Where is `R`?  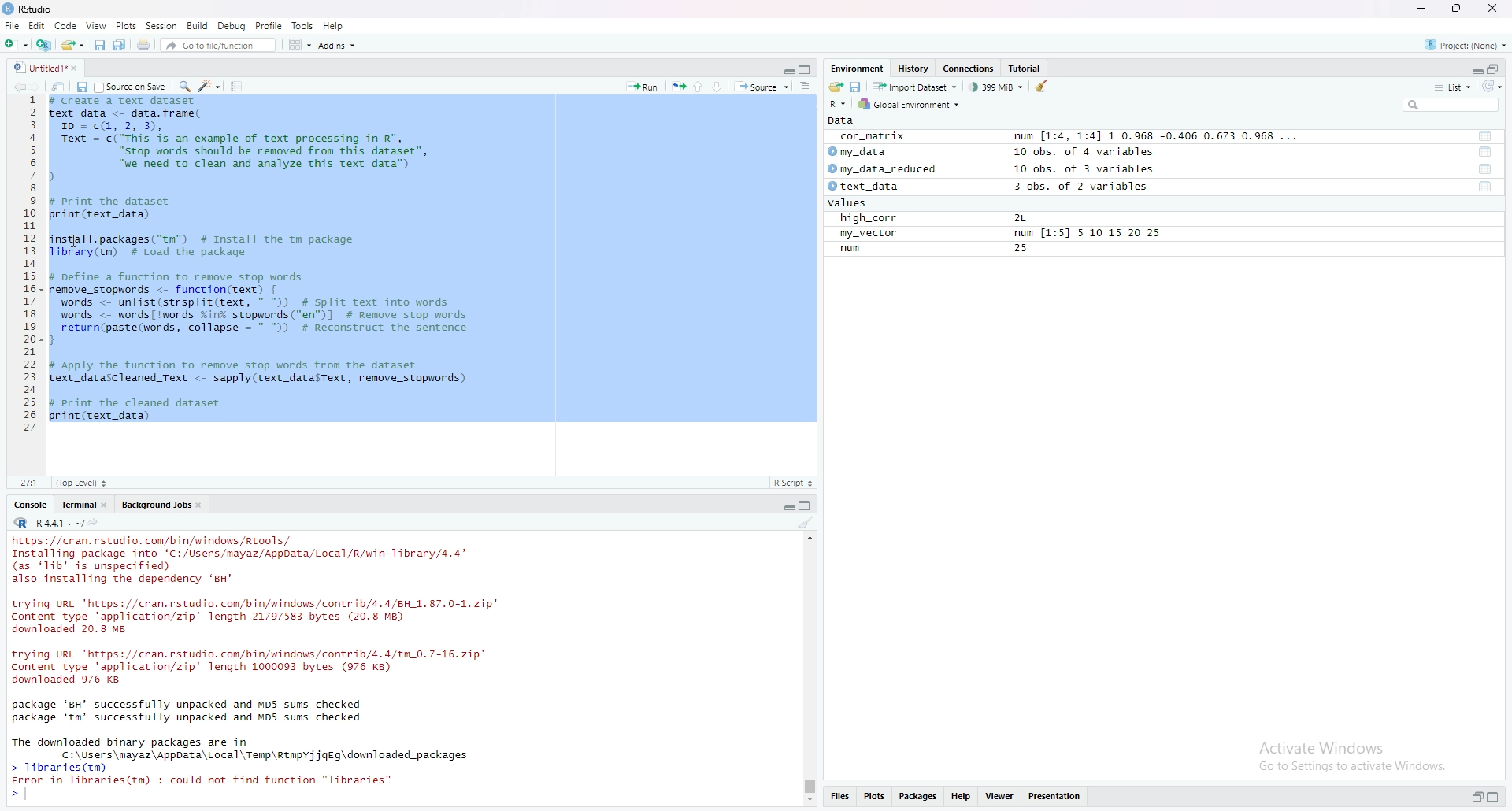
R is located at coordinates (838, 104).